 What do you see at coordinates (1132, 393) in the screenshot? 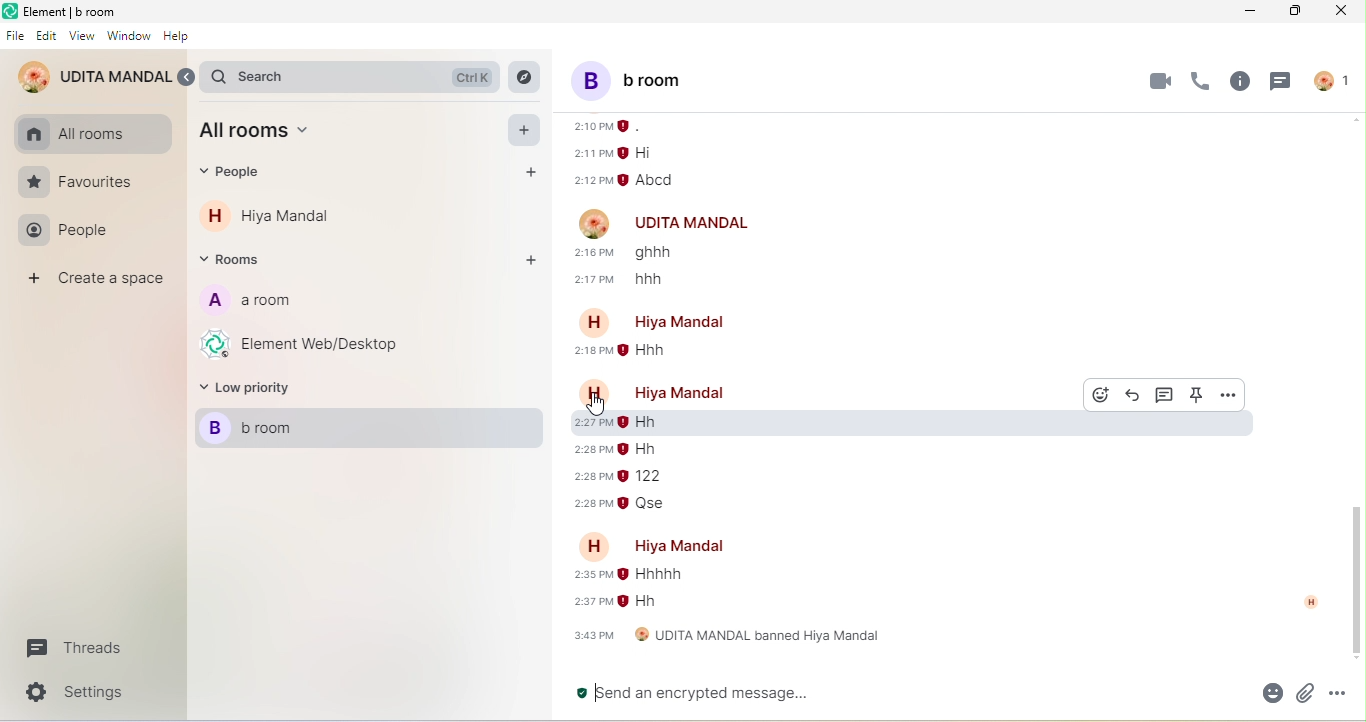
I see `reply` at bounding box center [1132, 393].